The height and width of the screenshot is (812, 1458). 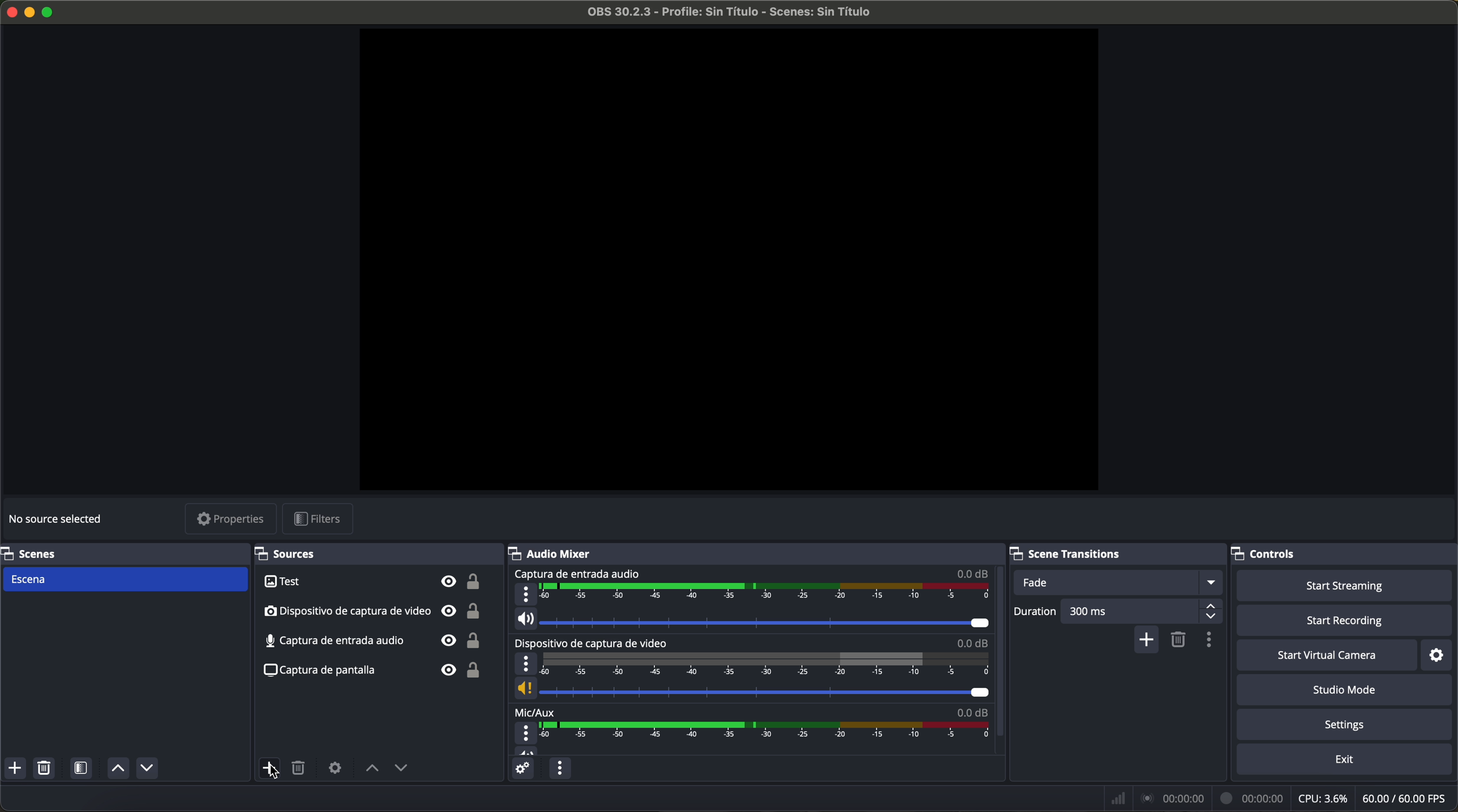 What do you see at coordinates (521, 767) in the screenshot?
I see `advanced audio properties` at bounding box center [521, 767].